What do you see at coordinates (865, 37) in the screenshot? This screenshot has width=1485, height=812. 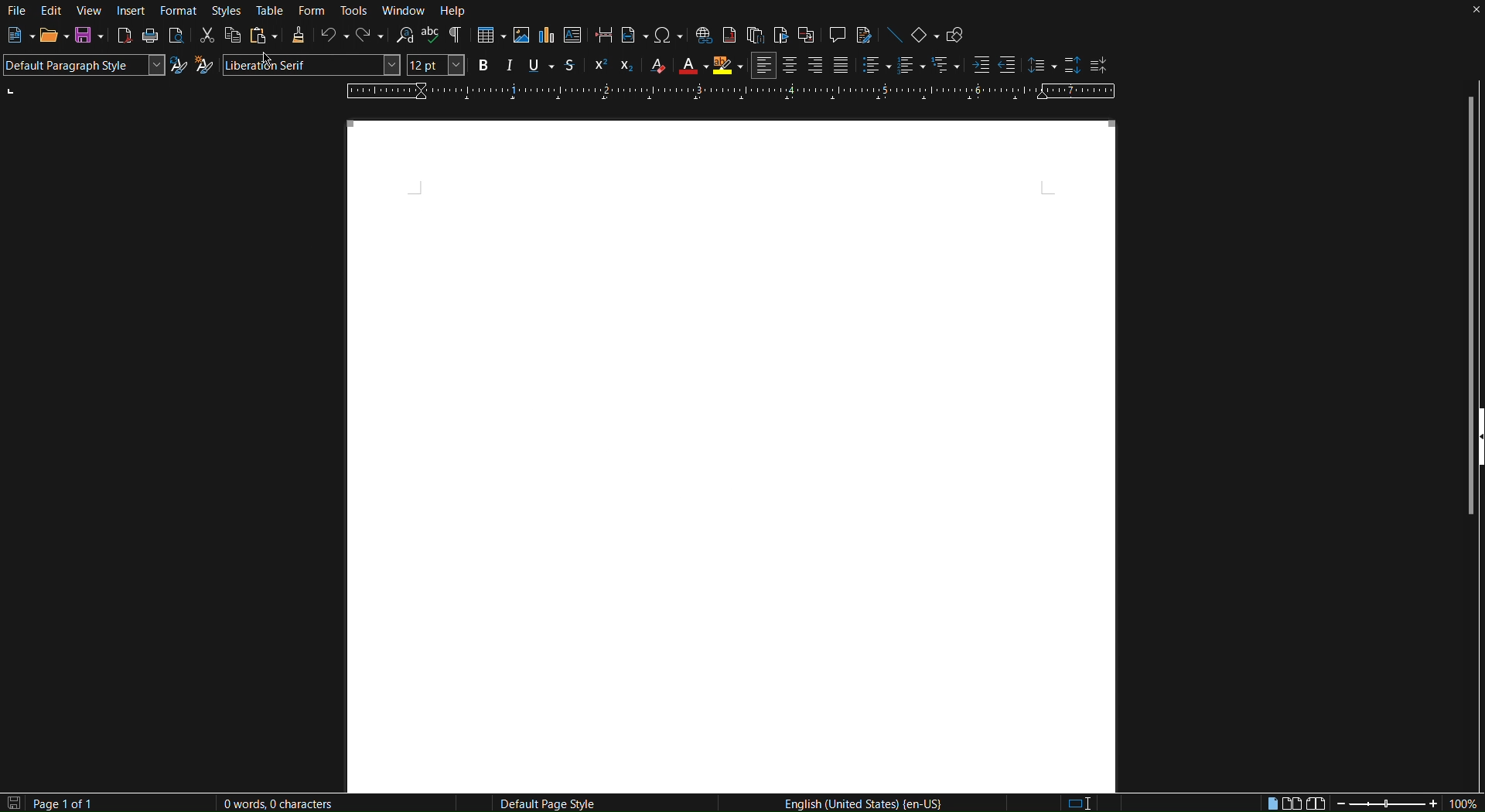 I see `Show Track Changes Functions` at bounding box center [865, 37].